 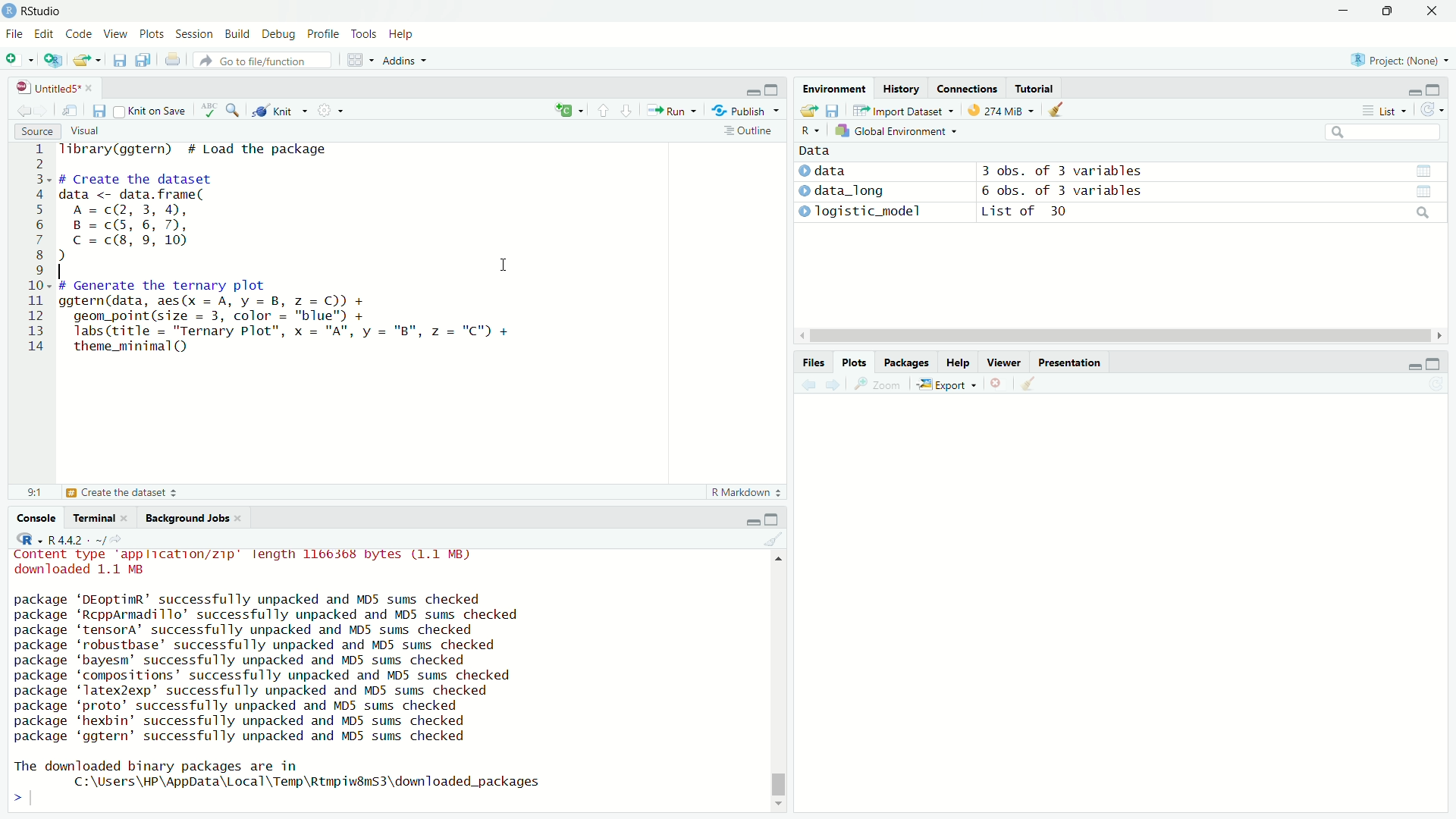 What do you see at coordinates (234, 33) in the screenshot?
I see `Build` at bounding box center [234, 33].